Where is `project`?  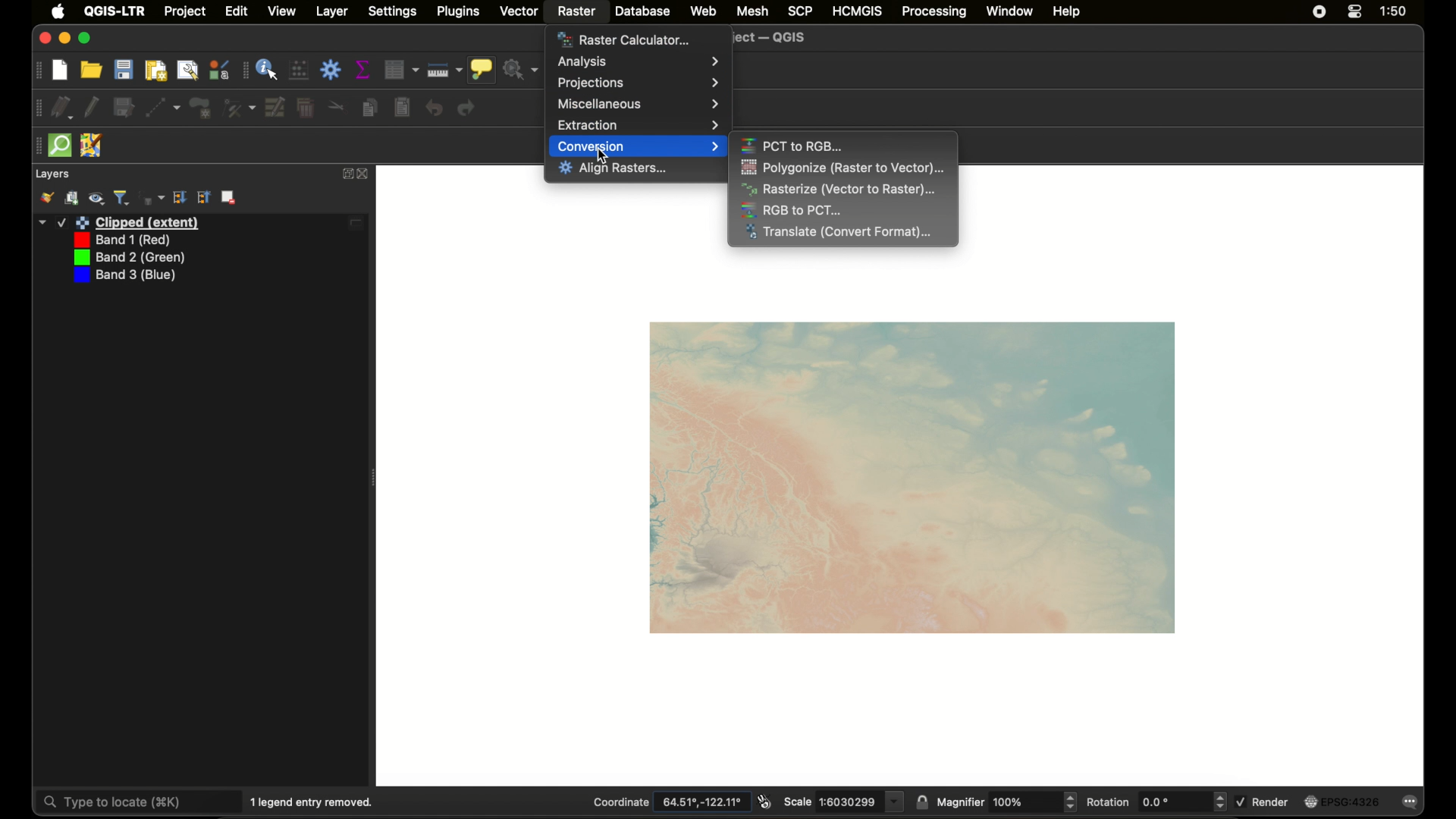
project is located at coordinates (186, 12).